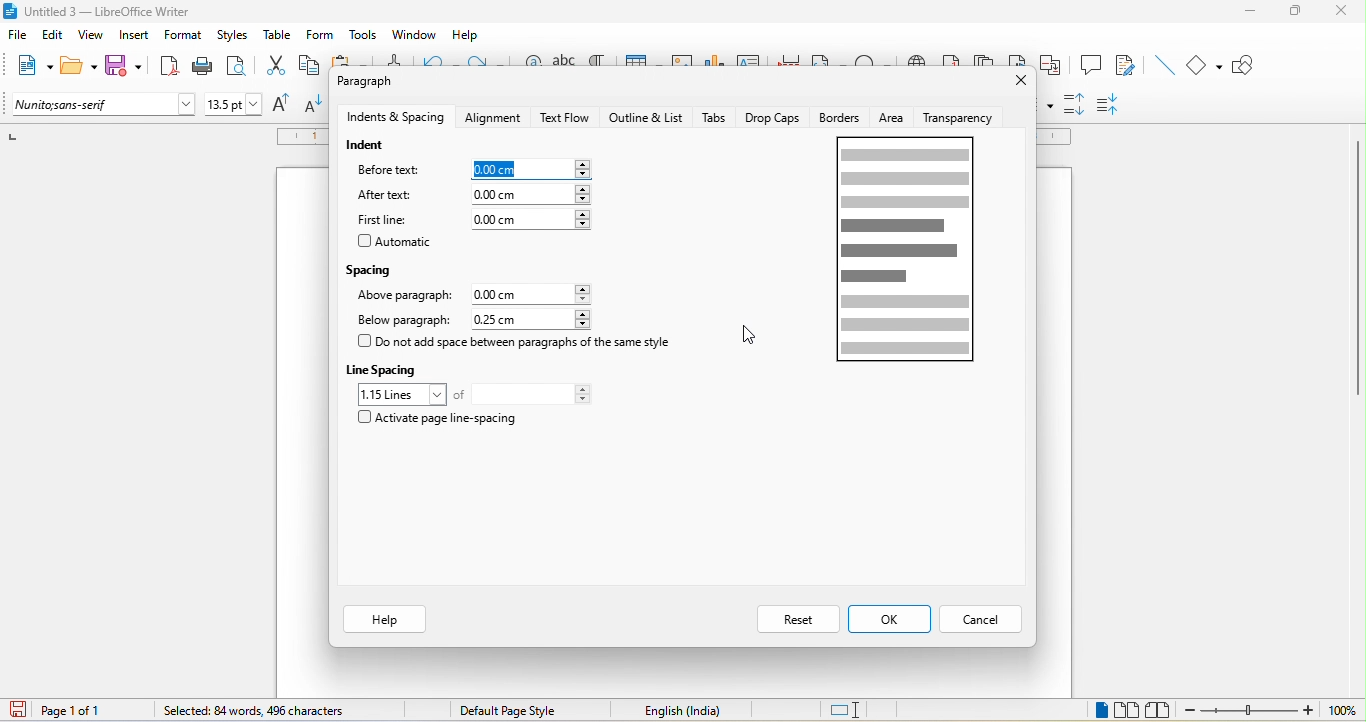  Describe the element at coordinates (234, 36) in the screenshot. I see `styles` at that location.